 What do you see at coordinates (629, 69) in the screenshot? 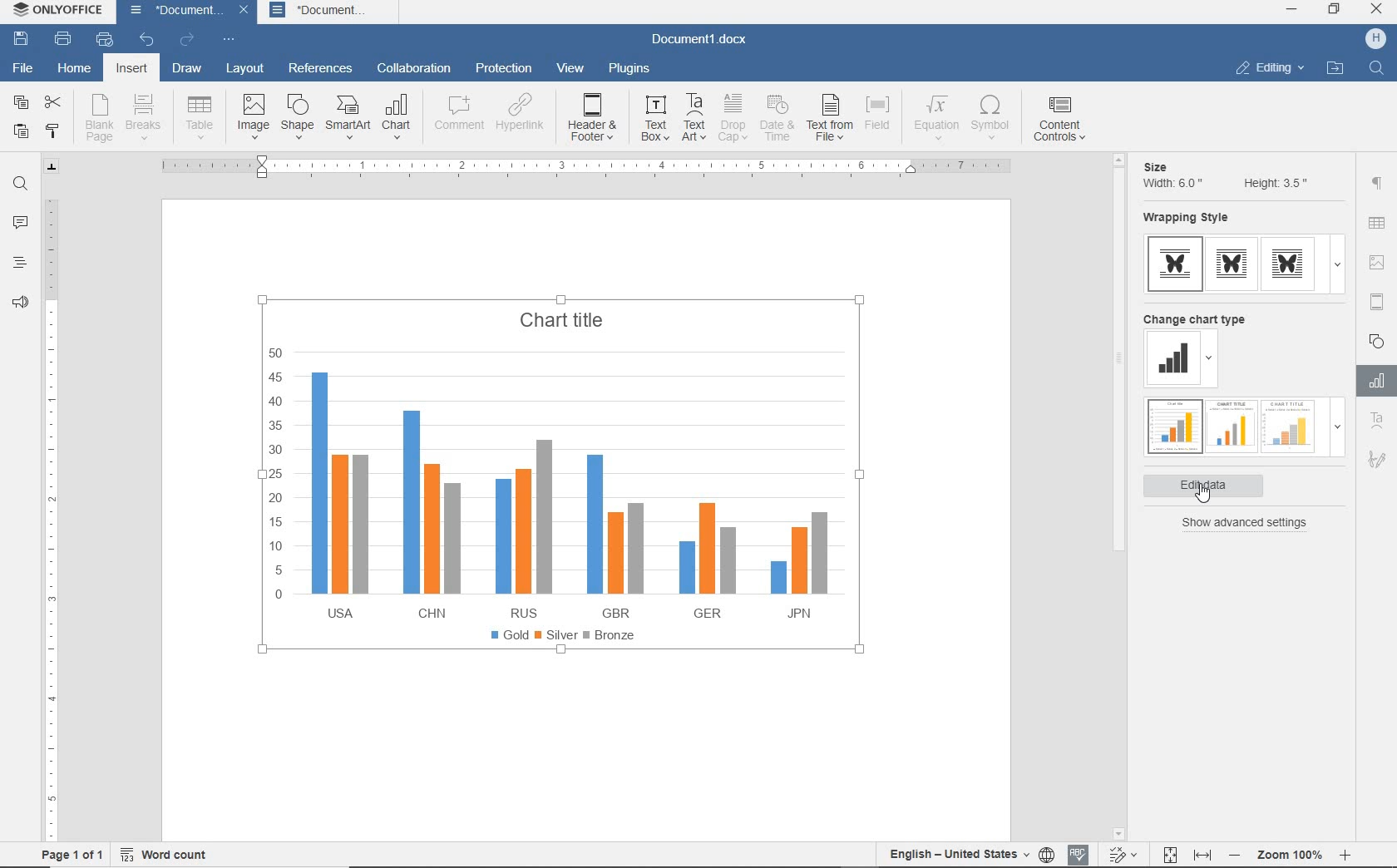
I see `plugins` at bounding box center [629, 69].